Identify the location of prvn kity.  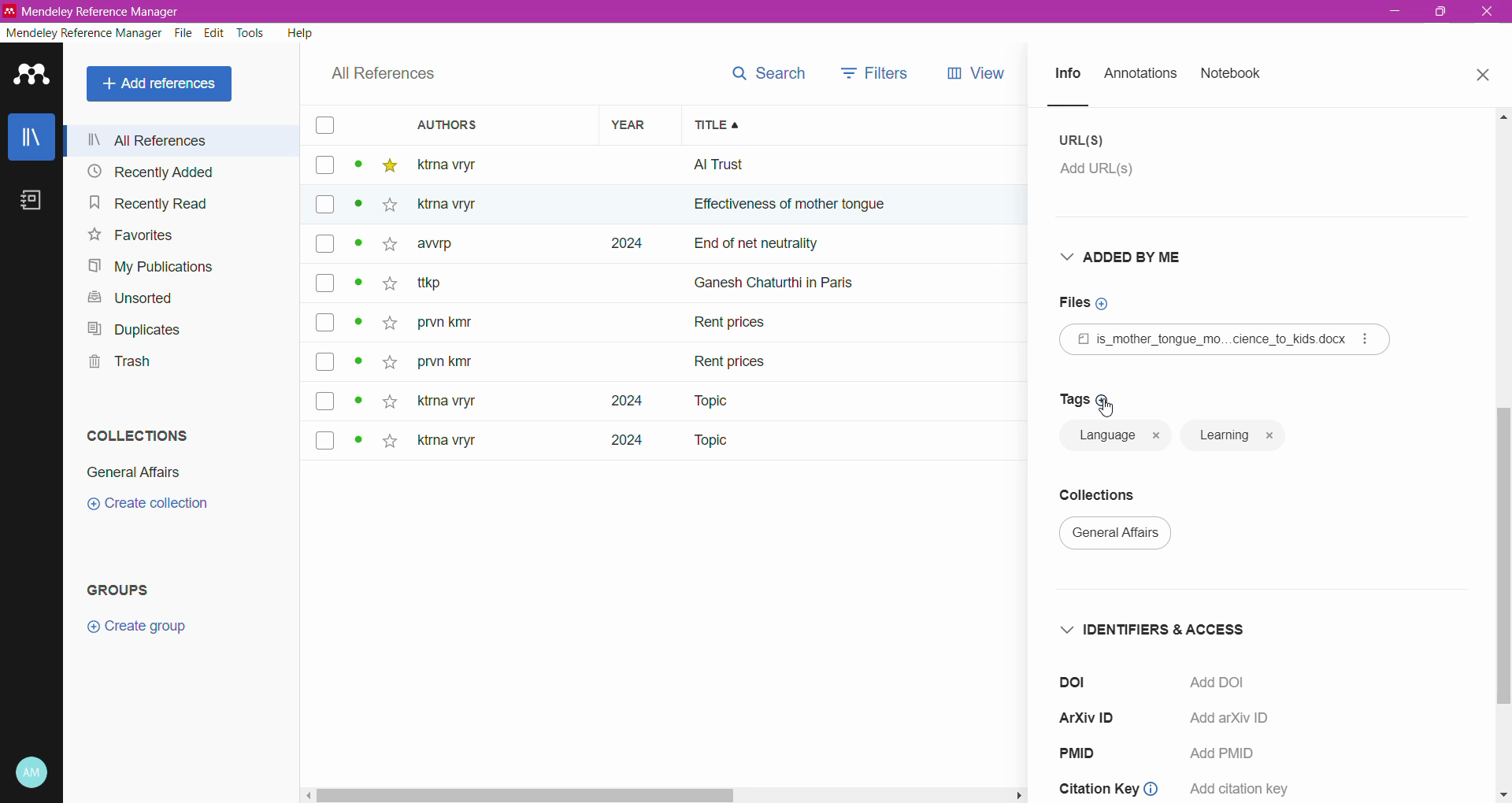
(454, 324).